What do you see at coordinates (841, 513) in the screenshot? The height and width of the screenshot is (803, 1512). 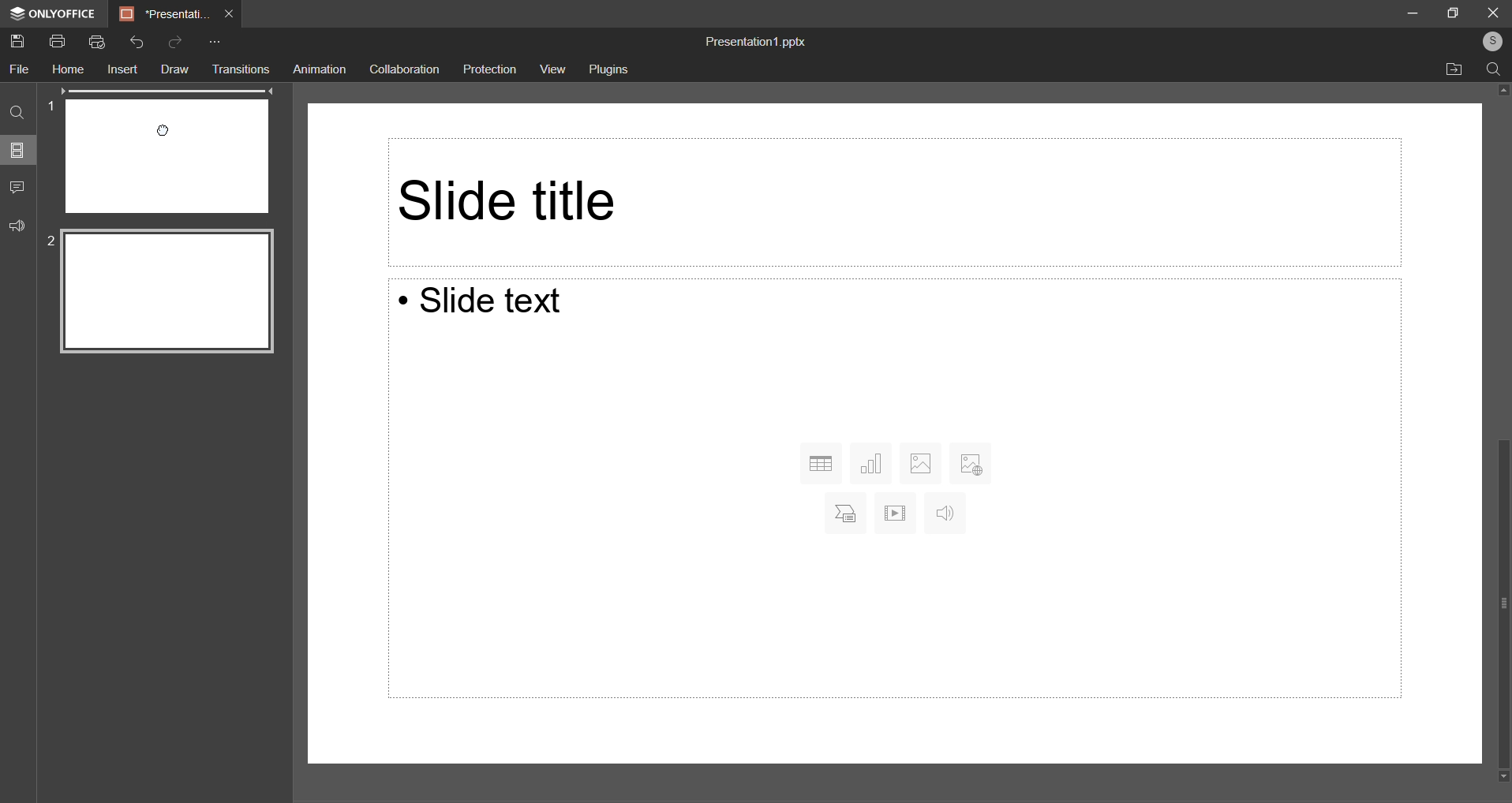 I see `Smart Art` at bounding box center [841, 513].